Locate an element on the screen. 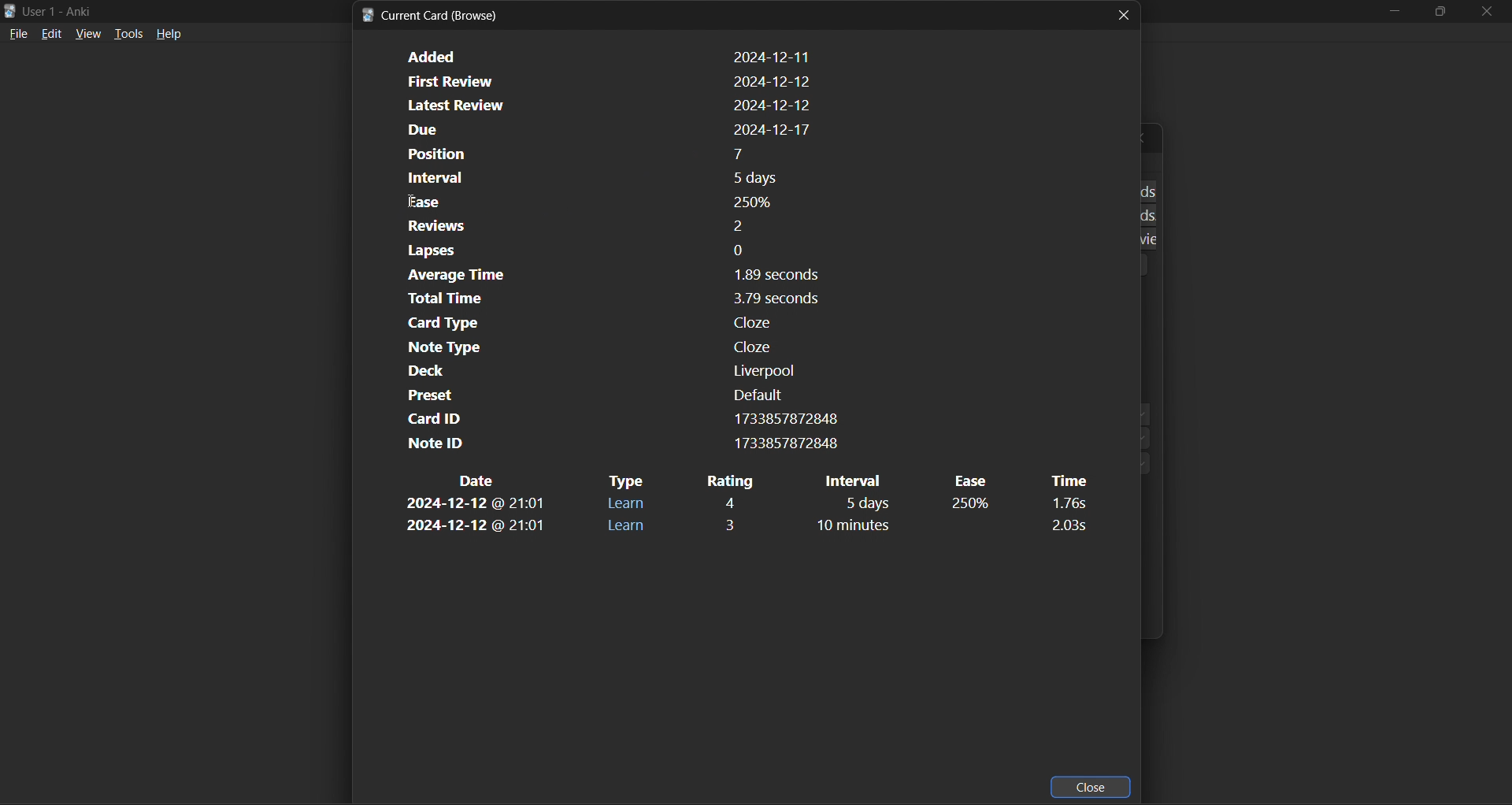  card deck is located at coordinates (595, 371).